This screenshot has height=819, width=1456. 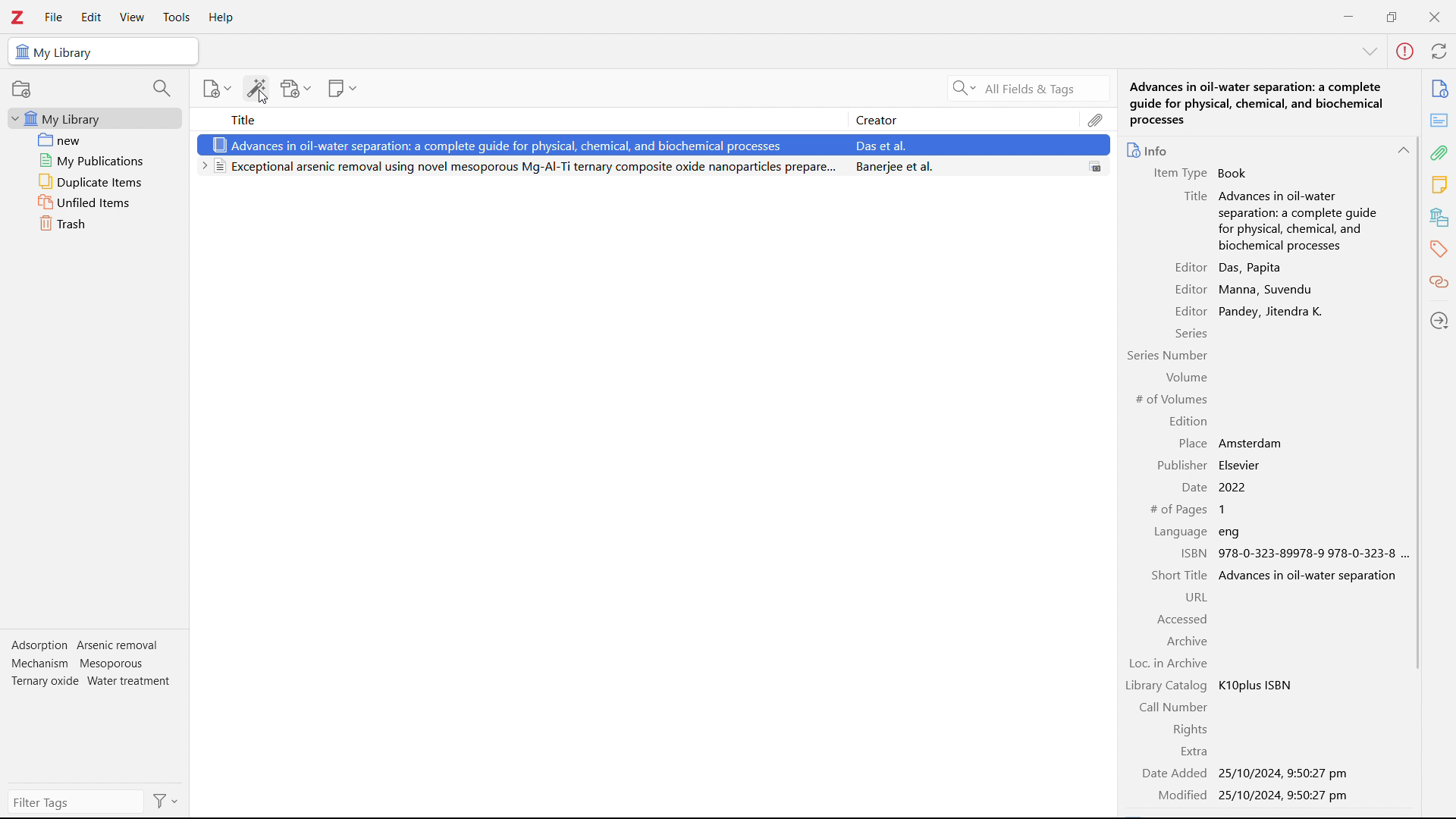 I want to click on volume, so click(x=1185, y=378).